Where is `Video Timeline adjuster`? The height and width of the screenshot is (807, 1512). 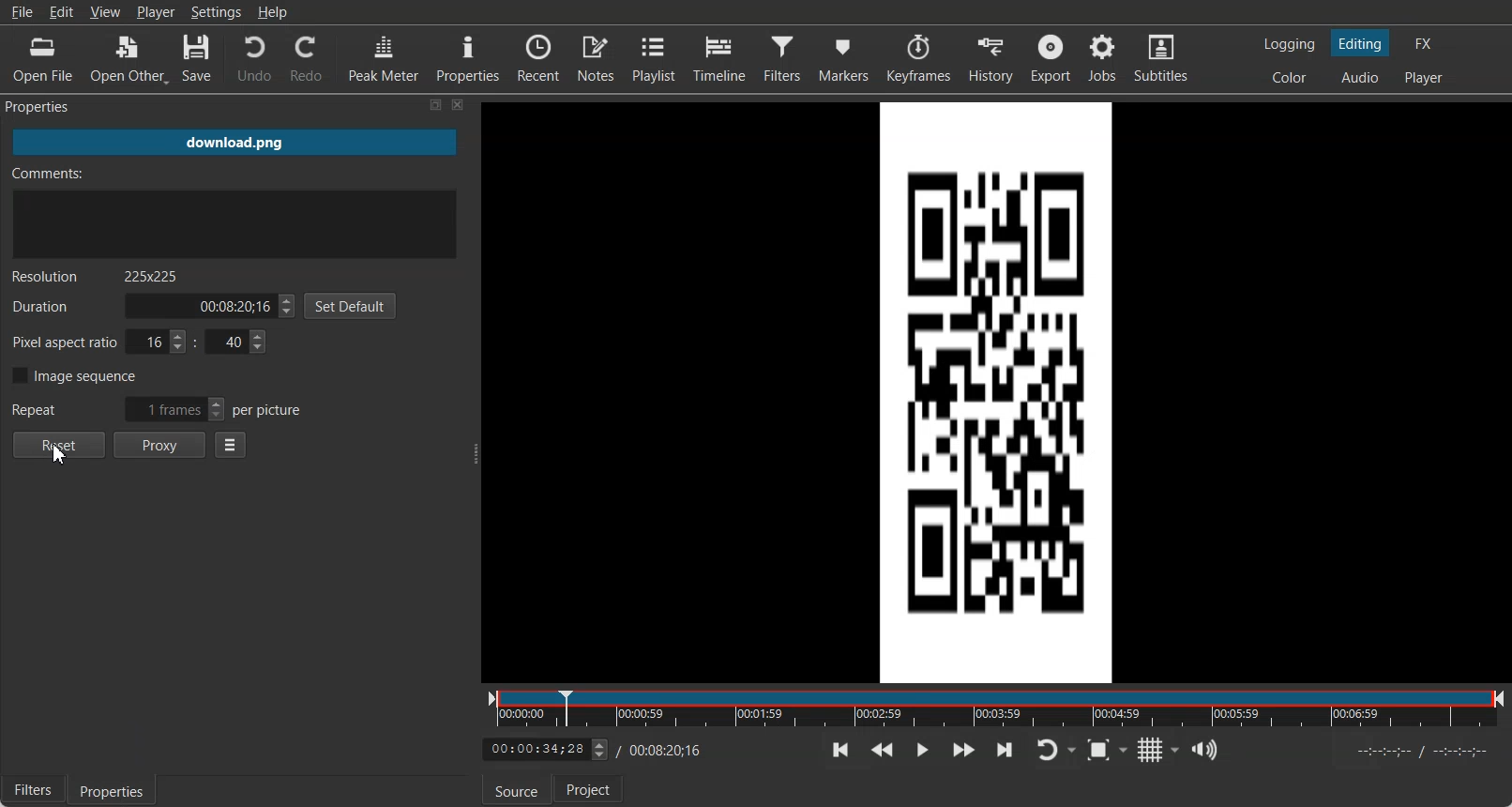
Video Timeline adjuster is located at coordinates (545, 750).